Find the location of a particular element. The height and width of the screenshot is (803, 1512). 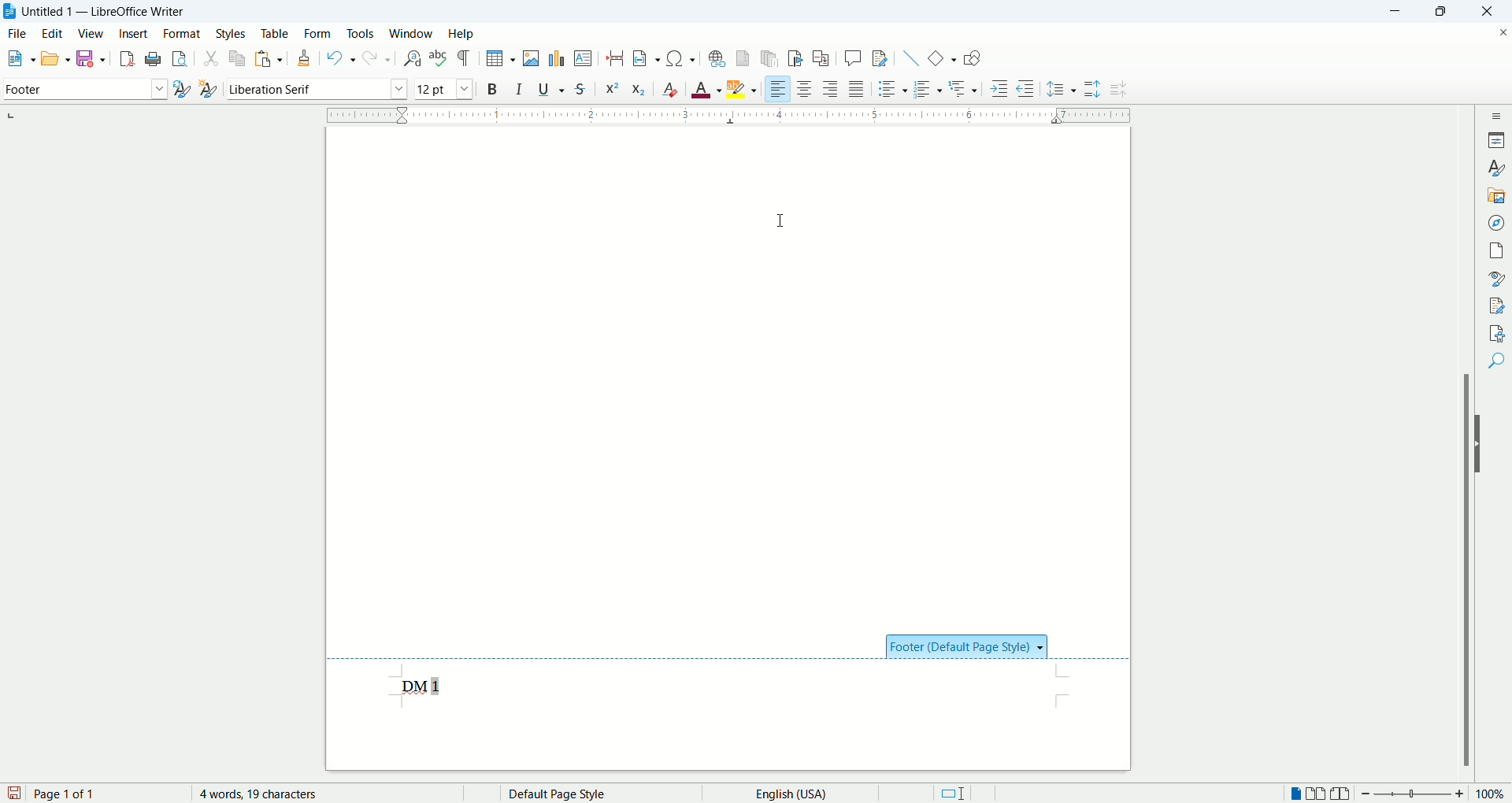

unordered list is located at coordinates (890, 89).